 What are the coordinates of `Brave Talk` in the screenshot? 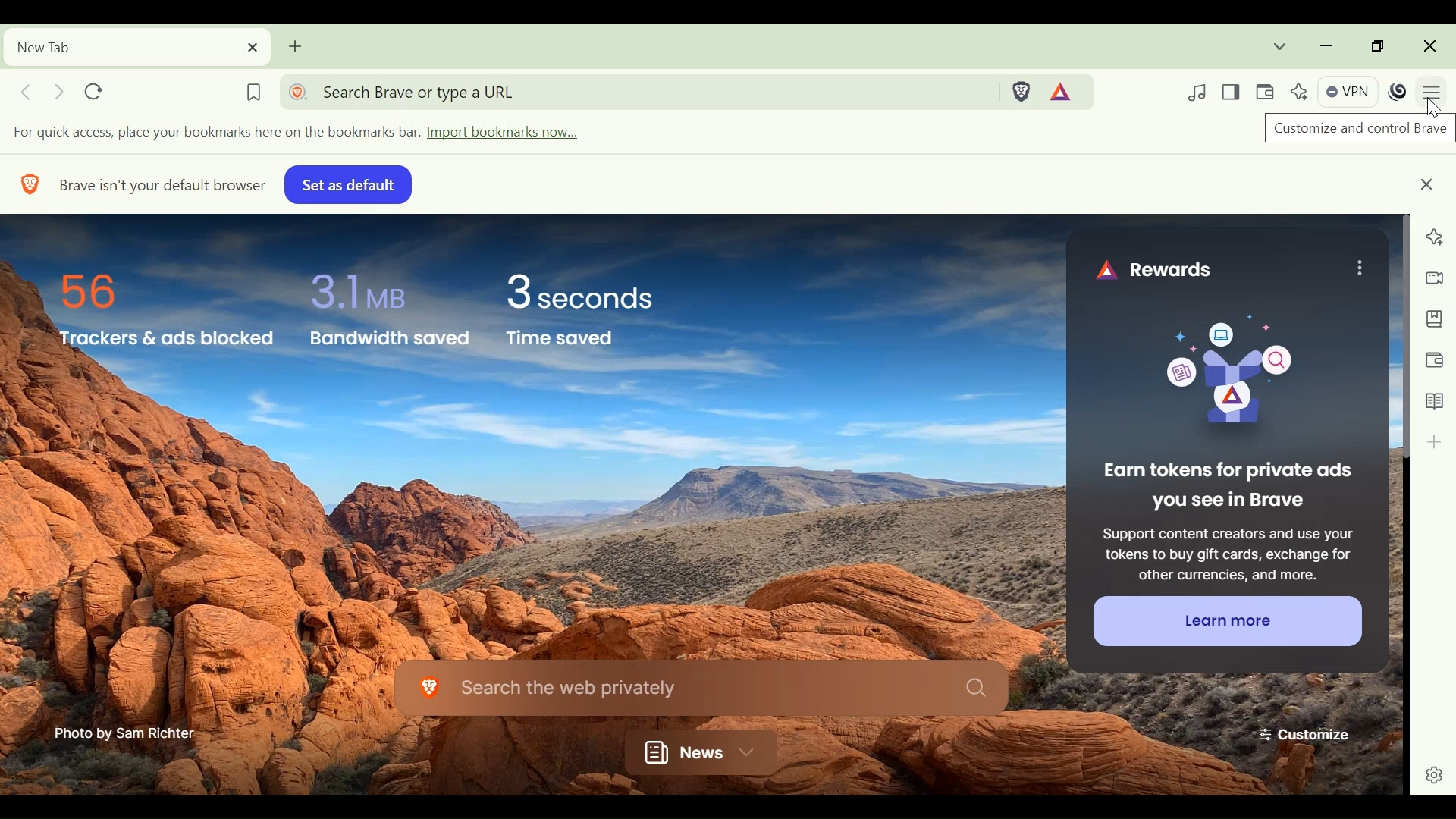 It's located at (1430, 276).